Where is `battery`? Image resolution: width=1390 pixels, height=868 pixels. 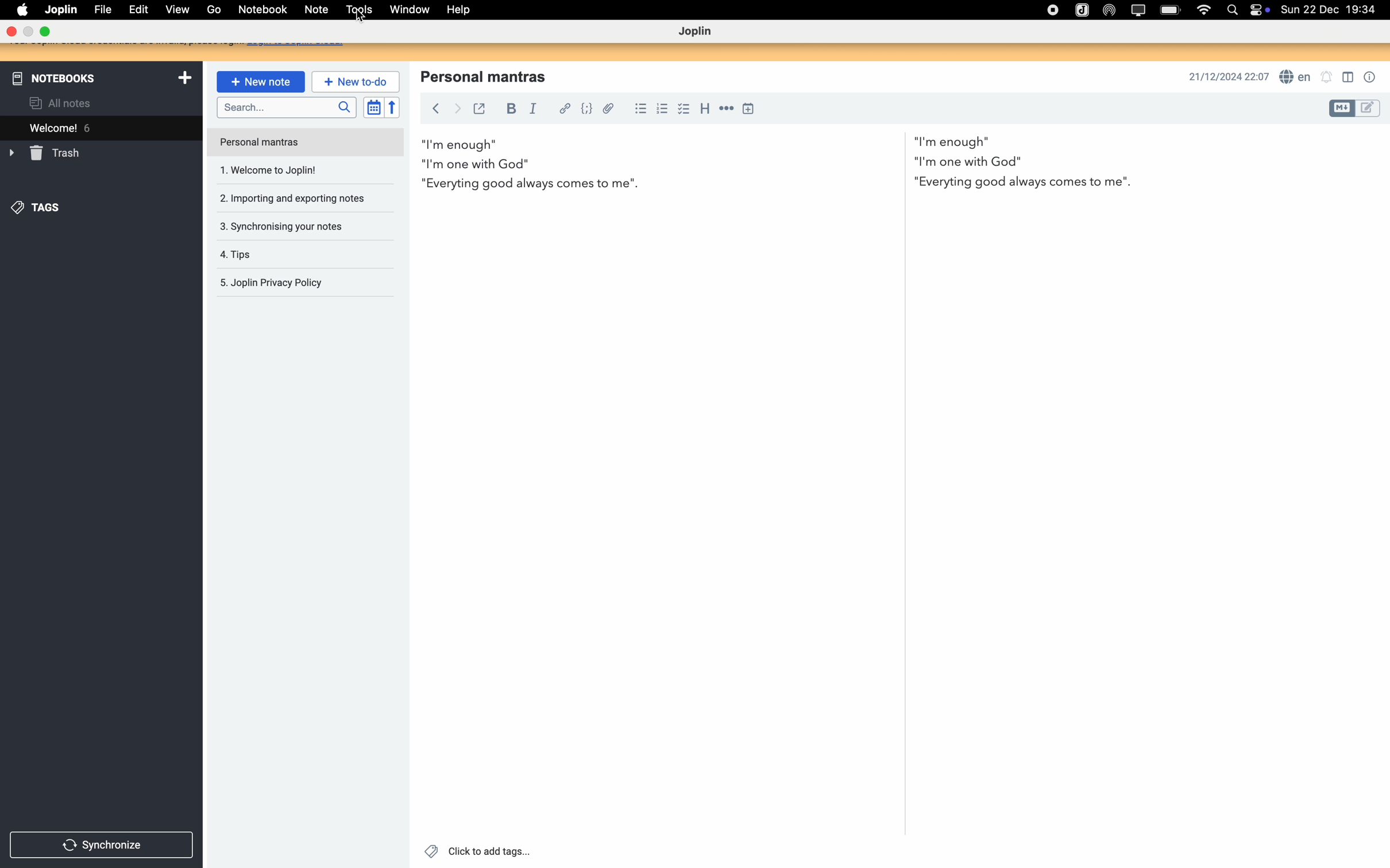 battery is located at coordinates (1169, 10).